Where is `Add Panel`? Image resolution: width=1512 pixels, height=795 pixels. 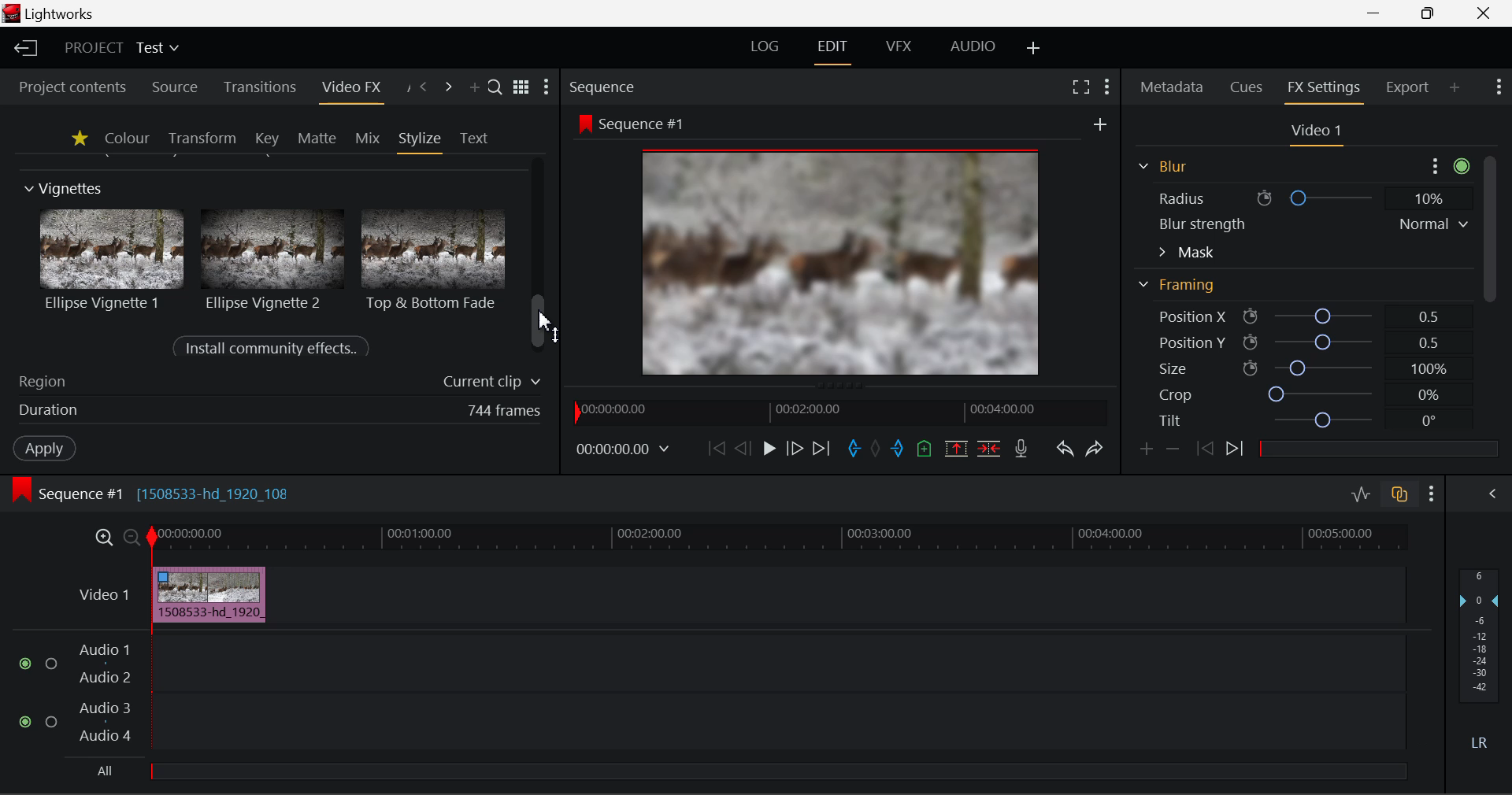
Add Panel is located at coordinates (1455, 89).